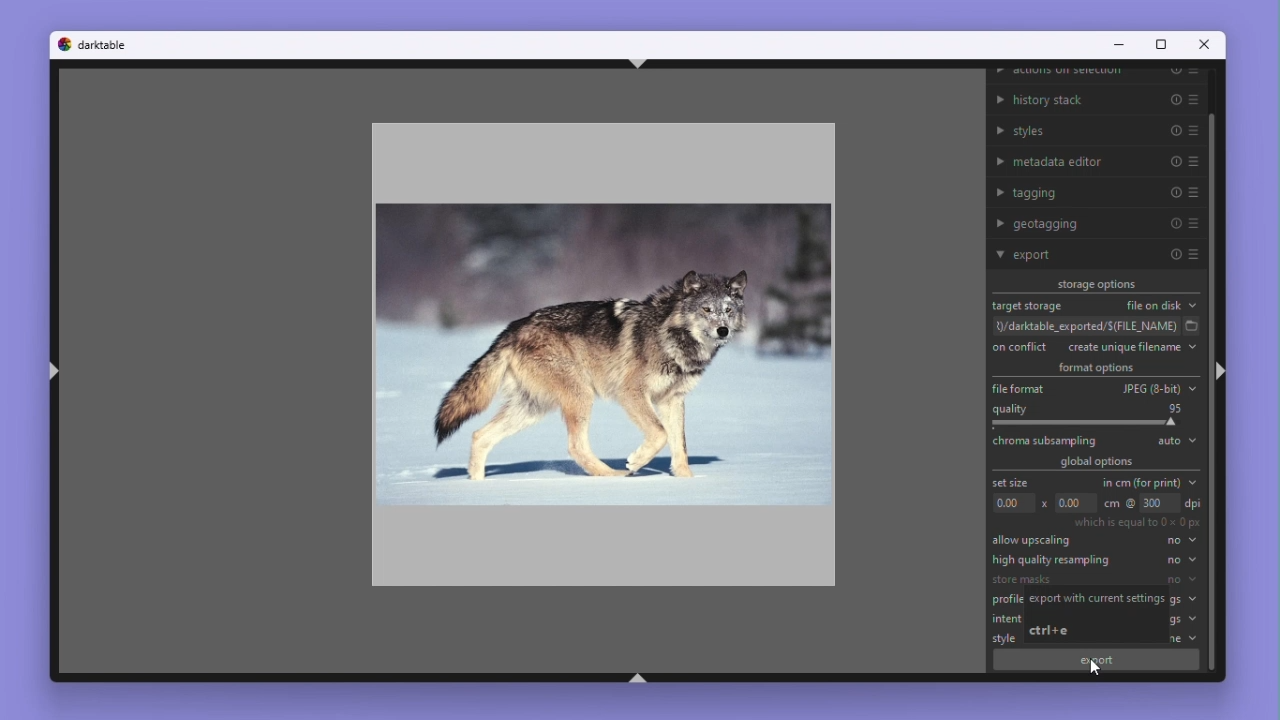  What do you see at coordinates (1007, 618) in the screenshot?
I see `intent` at bounding box center [1007, 618].